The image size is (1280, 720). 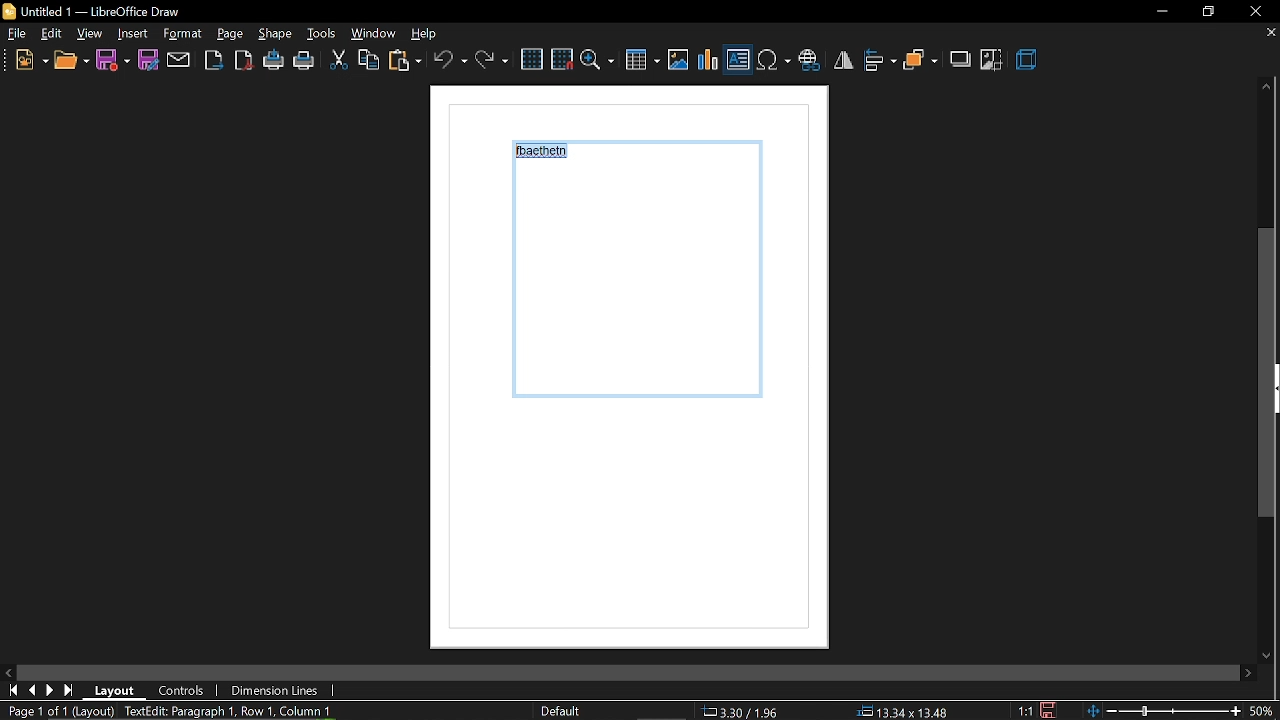 What do you see at coordinates (232, 711) in the screenshot?
I see `TextEdit: Paragraph 1, Row 1, Column 10` at bounding box center [232, 711].